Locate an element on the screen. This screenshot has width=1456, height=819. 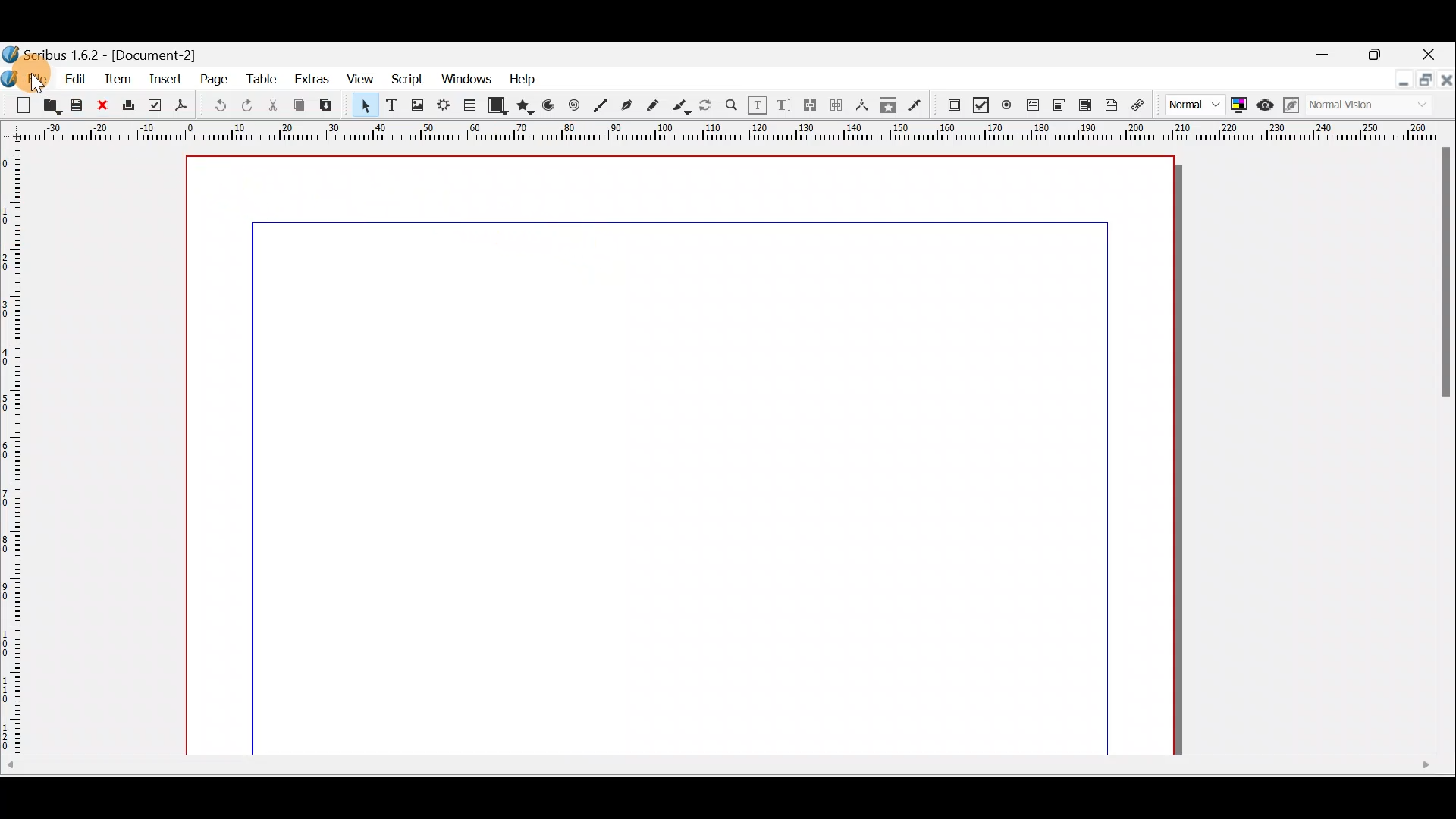
Canvas is located at coordinates (693, 454).